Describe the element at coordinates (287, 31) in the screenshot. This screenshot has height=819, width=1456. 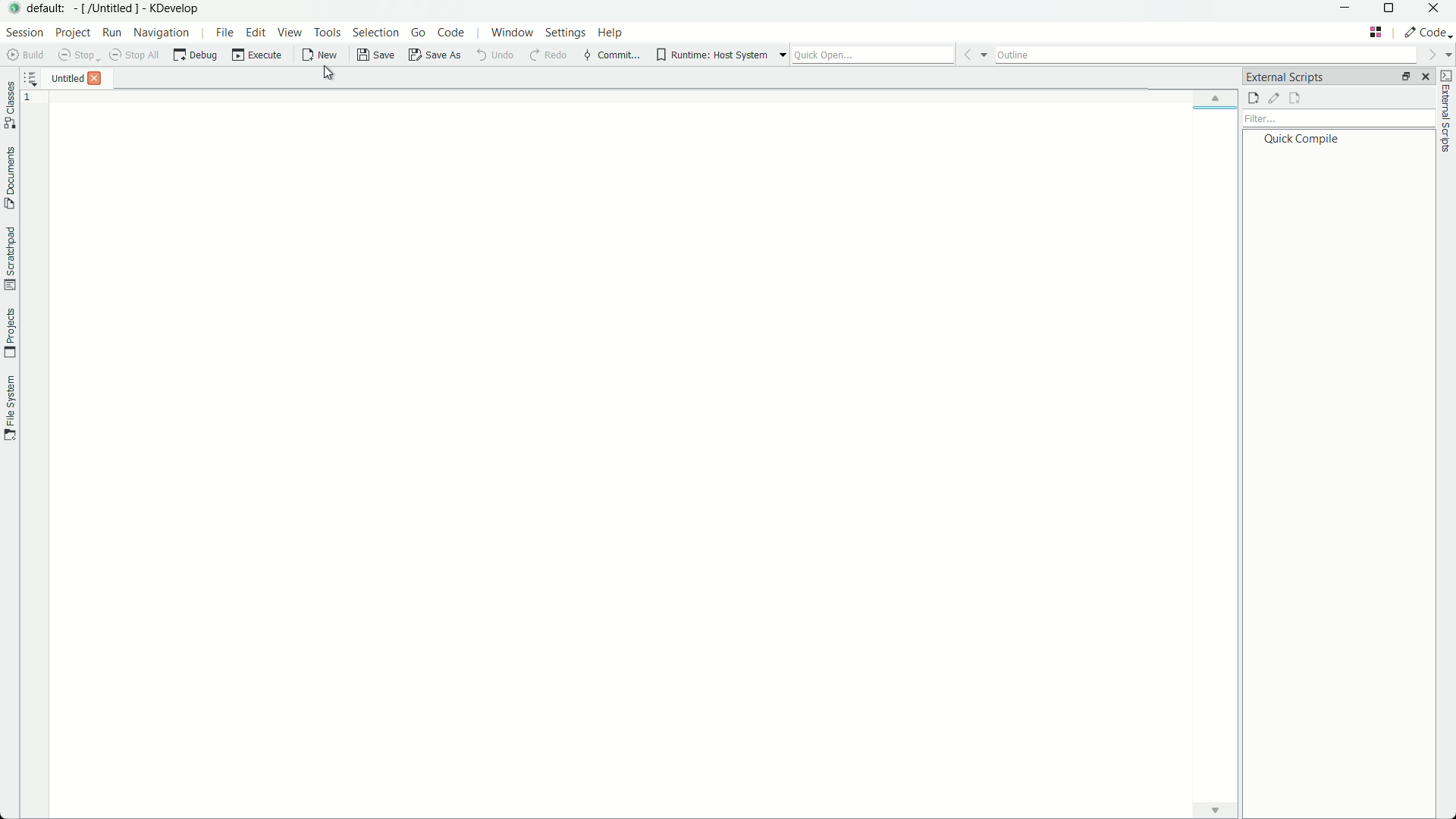
I see `view menu` at that location.